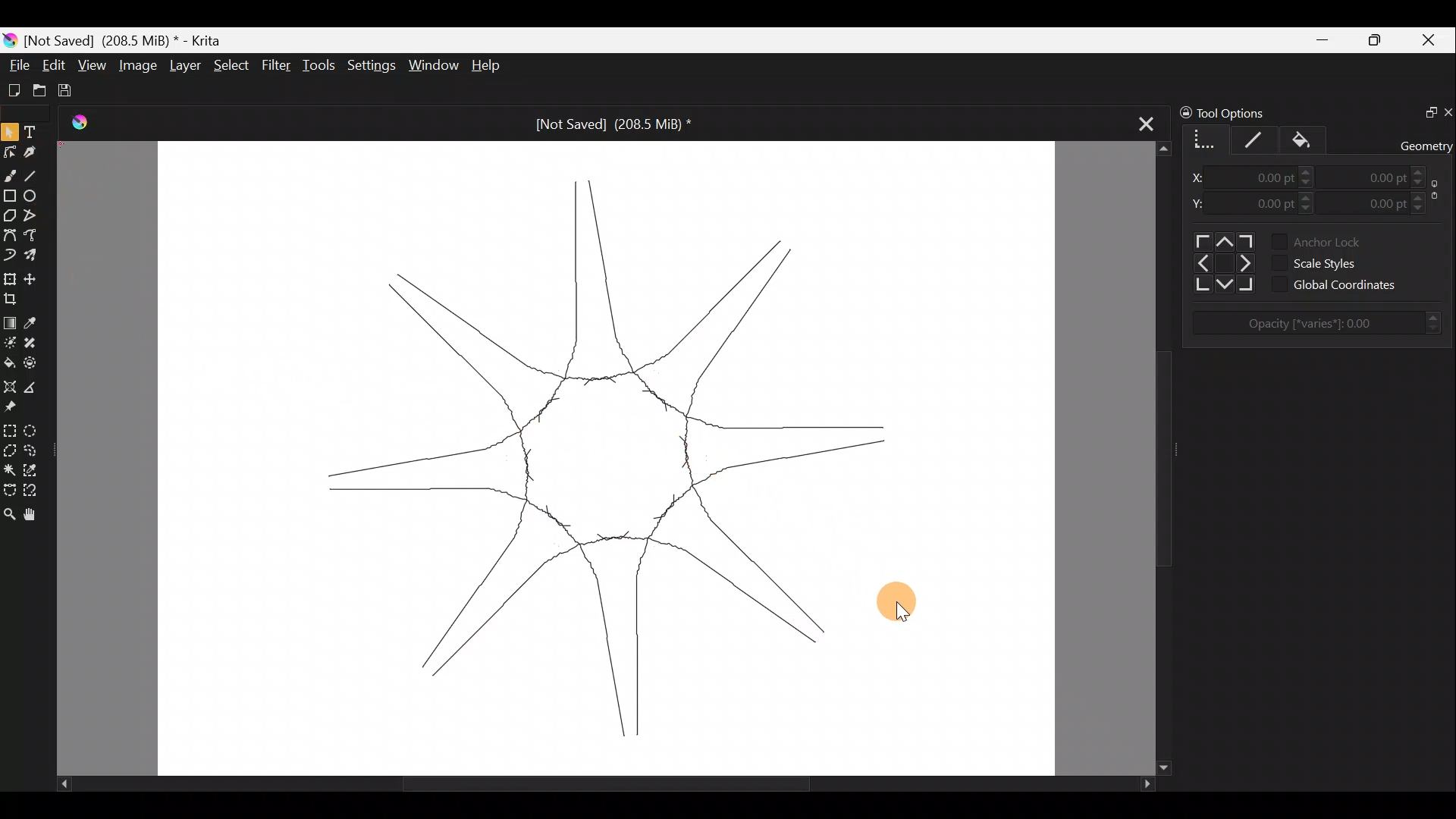  What do you see at coordinates (1427, 144) in the screenshot?
I see `Geometry` at bounding box center [1427, 144].